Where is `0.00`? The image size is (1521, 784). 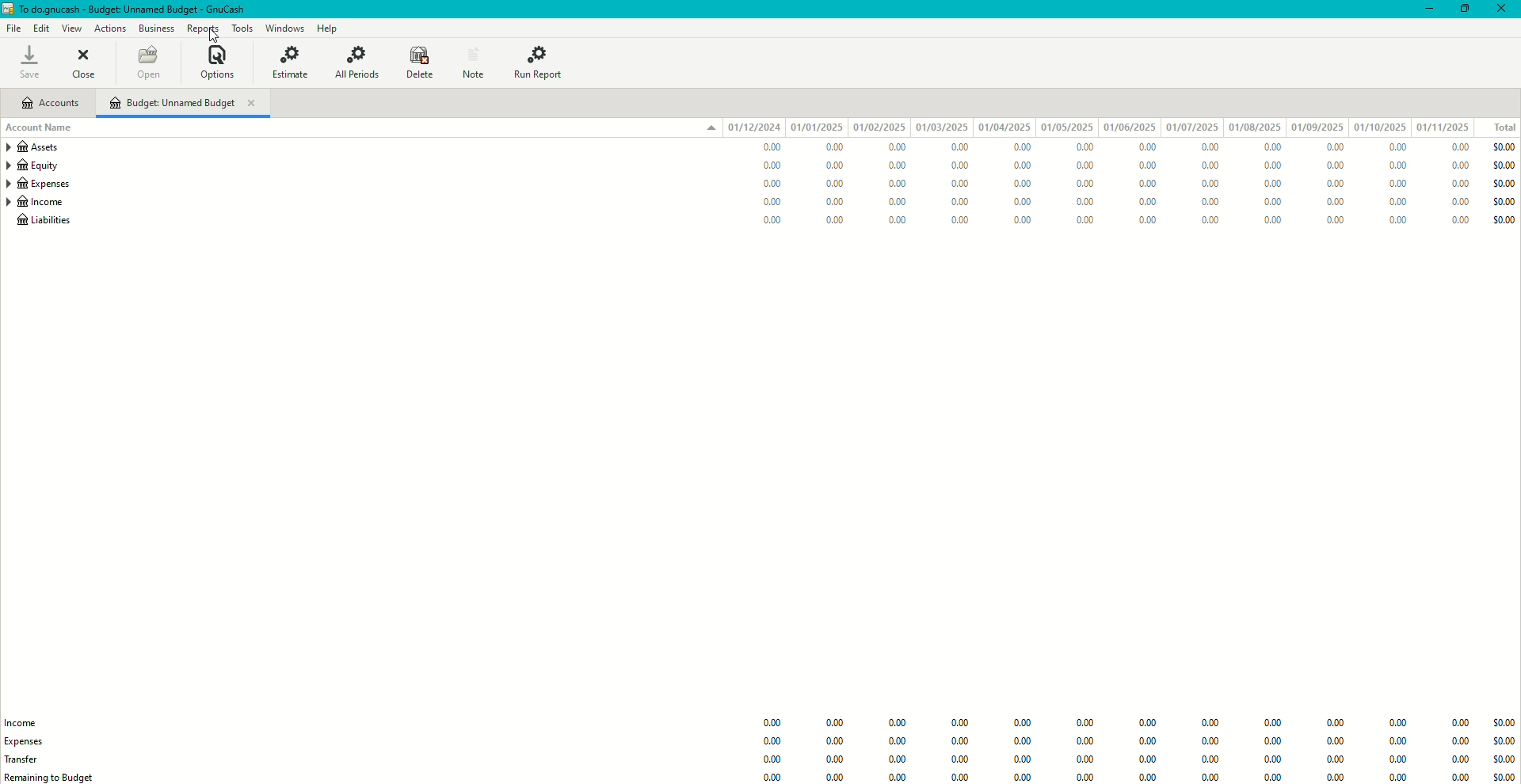 0.00 is located at coordinates (1208, 204).